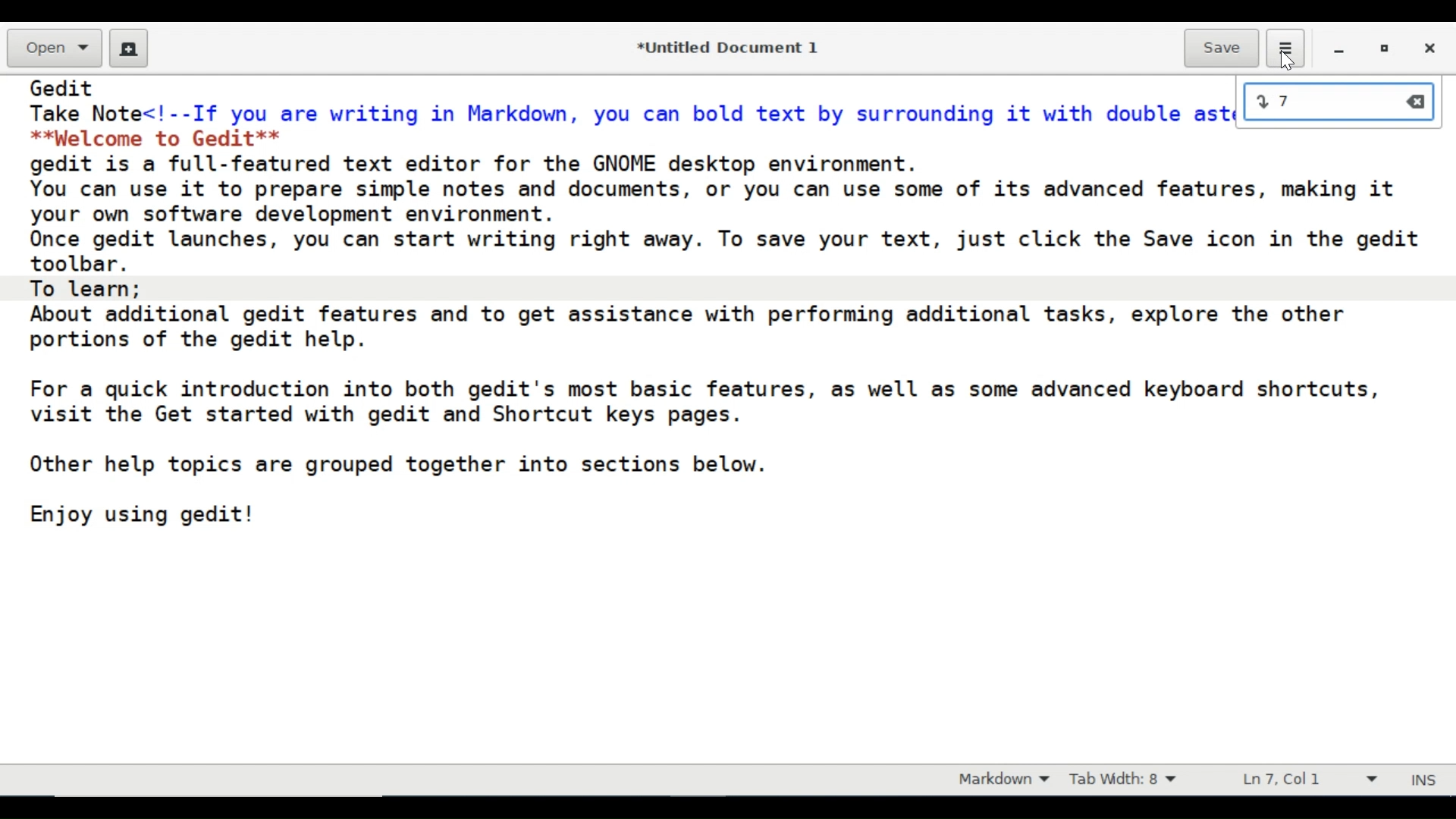 This screenshot has width=1456, height=819. Describe the element at coordinates (691, 328) in the screenshot. I see `About additional gedit features and to get assistance with performing additional tasks, explore the other
portions of the gedit help.` at that location.